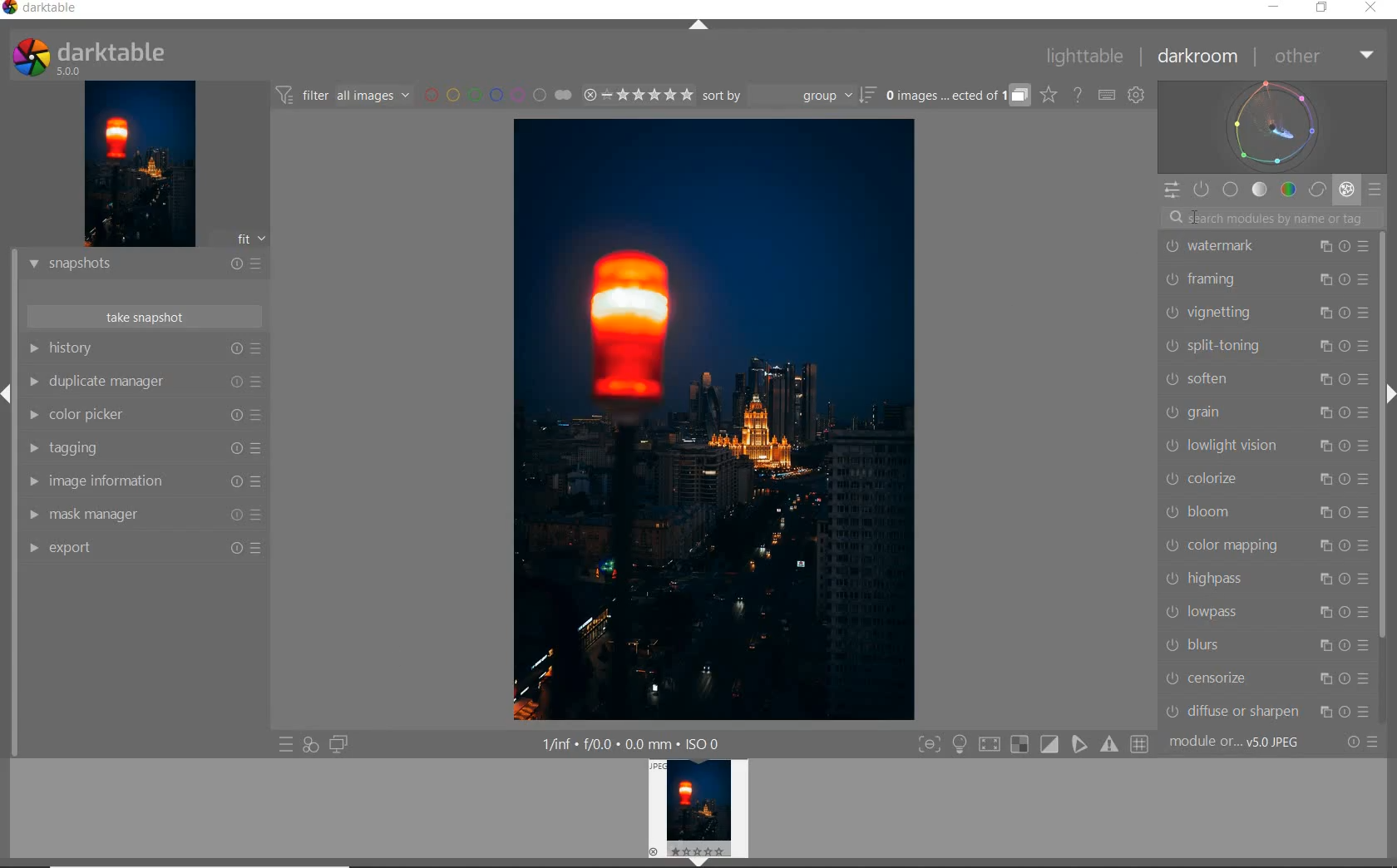  I want to click on QUICK ACCESS PANEL, so click(1172, 190).